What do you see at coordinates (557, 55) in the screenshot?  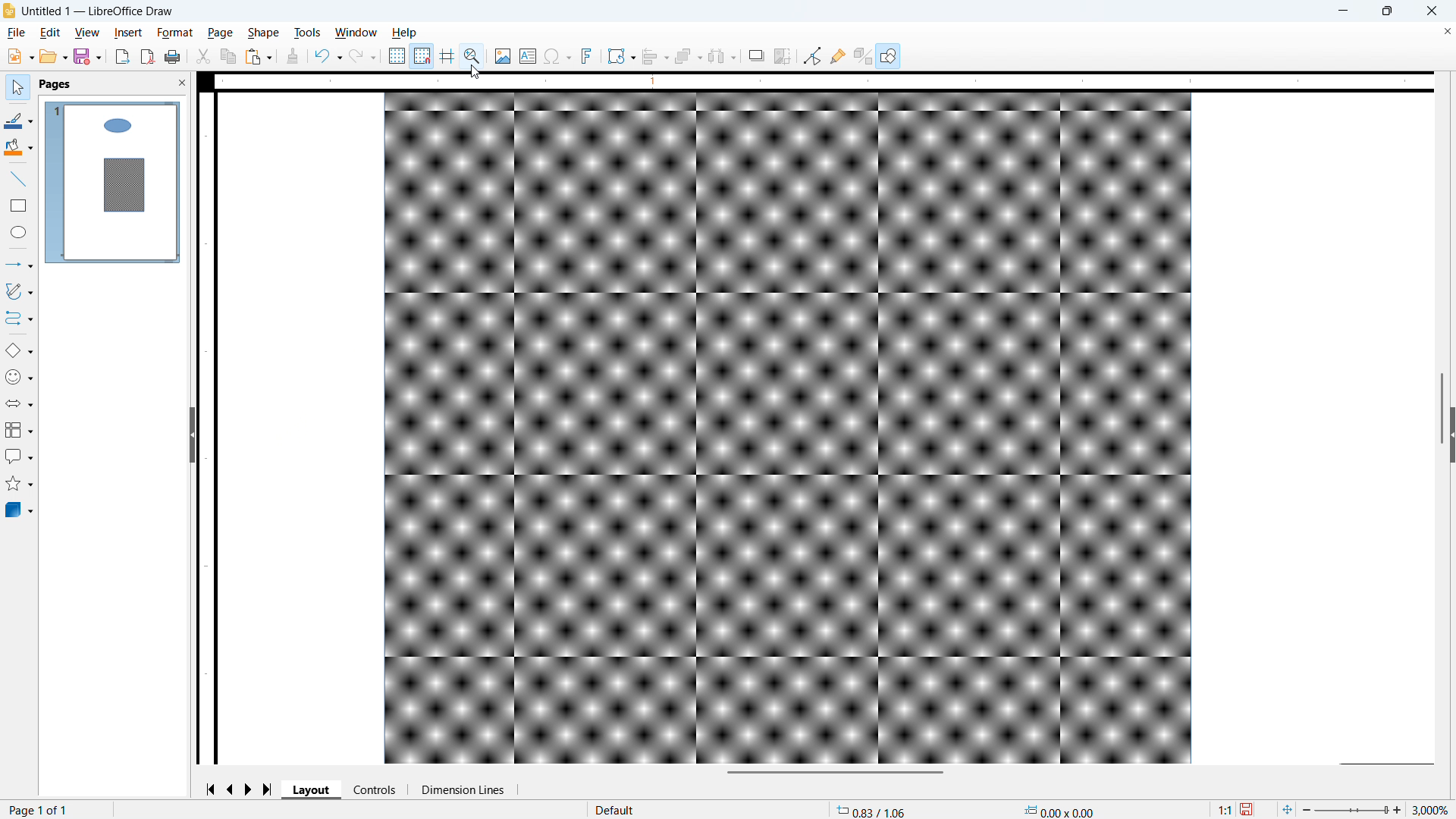 I see `Insert symbol ` at bounding box center [557, 55].